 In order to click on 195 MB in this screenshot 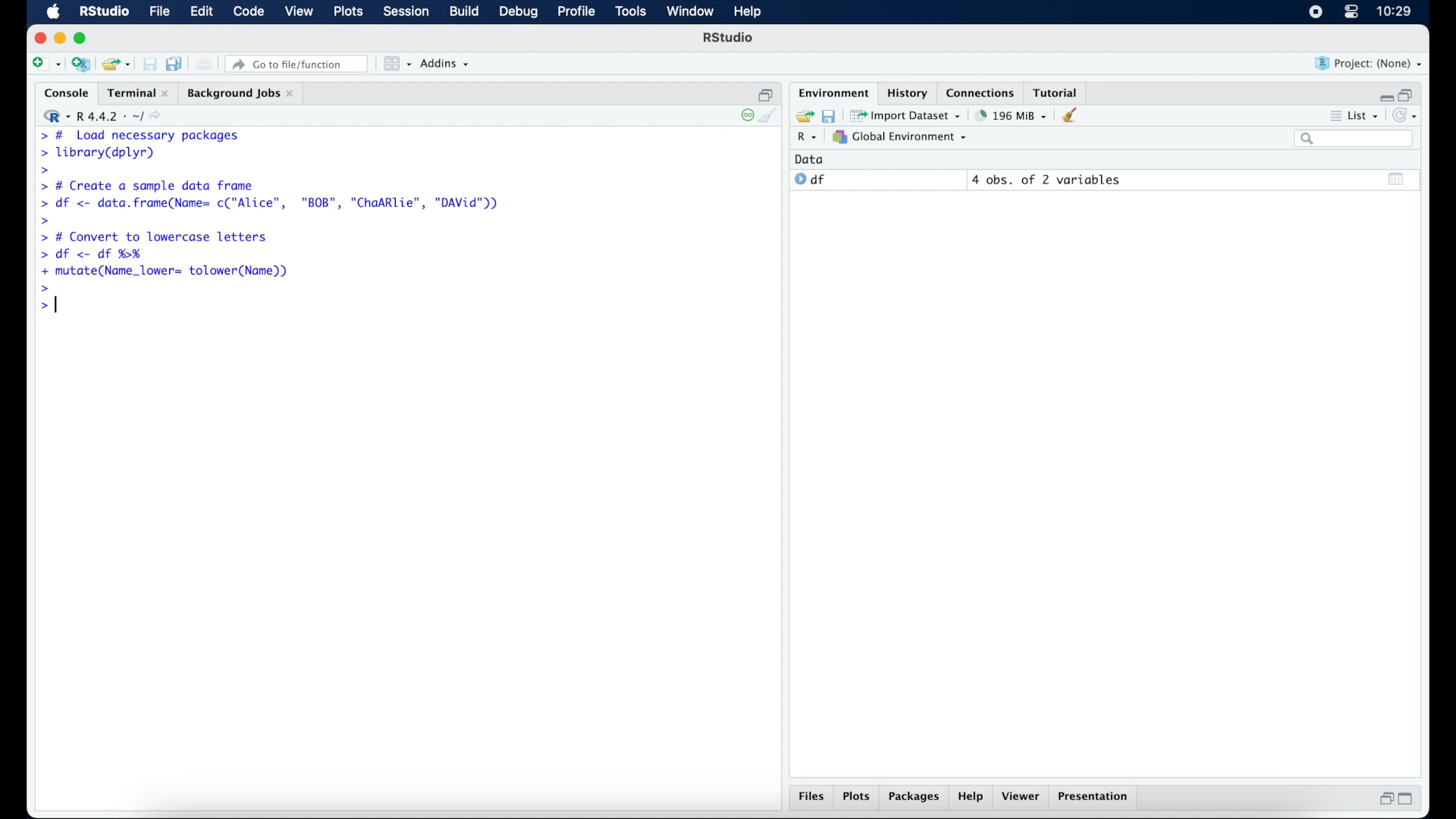, I will do `click(1010, 115)`.